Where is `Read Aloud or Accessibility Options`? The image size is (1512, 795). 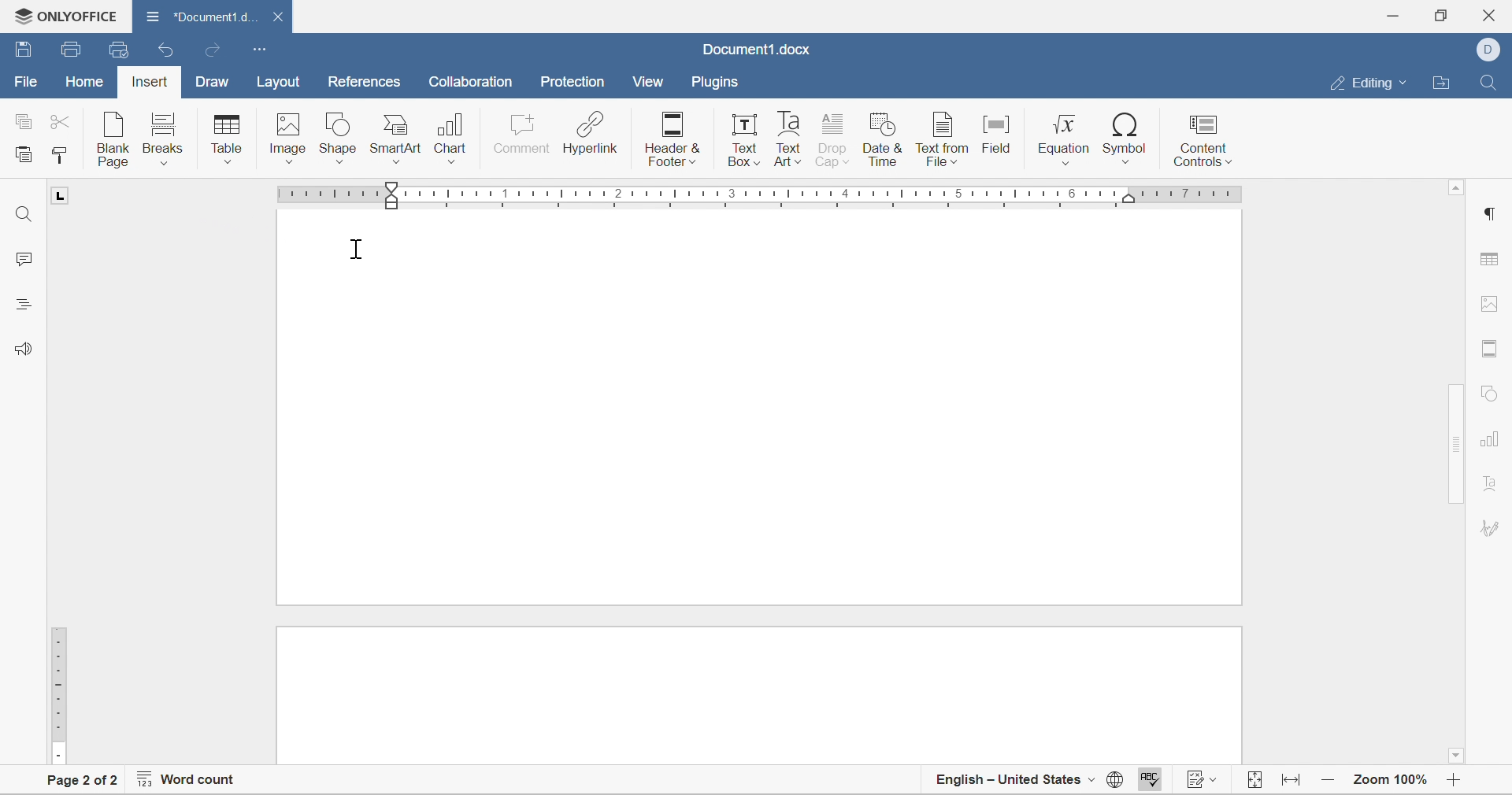 Read Aloud or Accessibility Options is located at coordinates (20, 348).